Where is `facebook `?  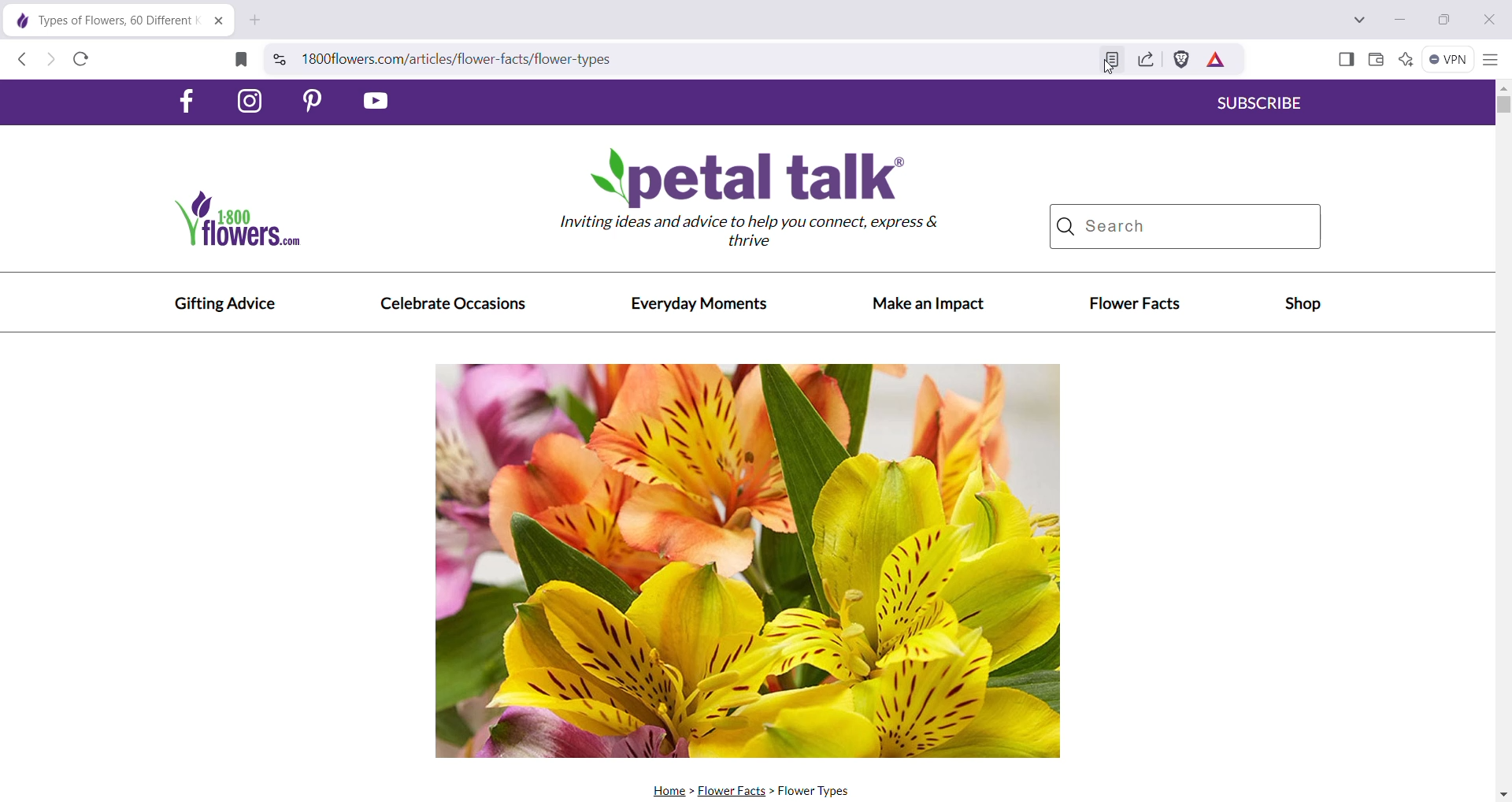 facebook  is located at coordinates (187, 101).